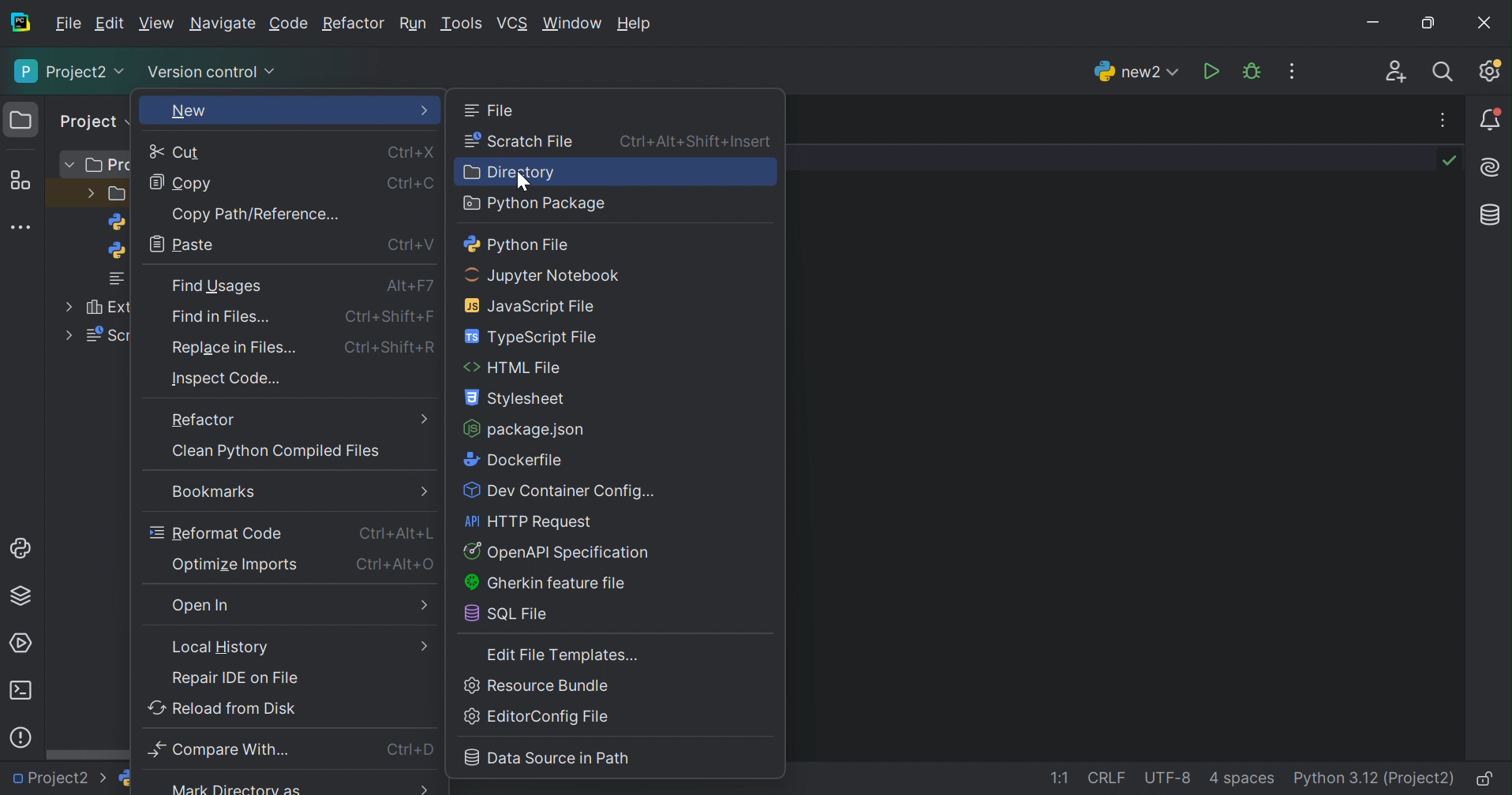  I want to click on Services, so click(24, 642).